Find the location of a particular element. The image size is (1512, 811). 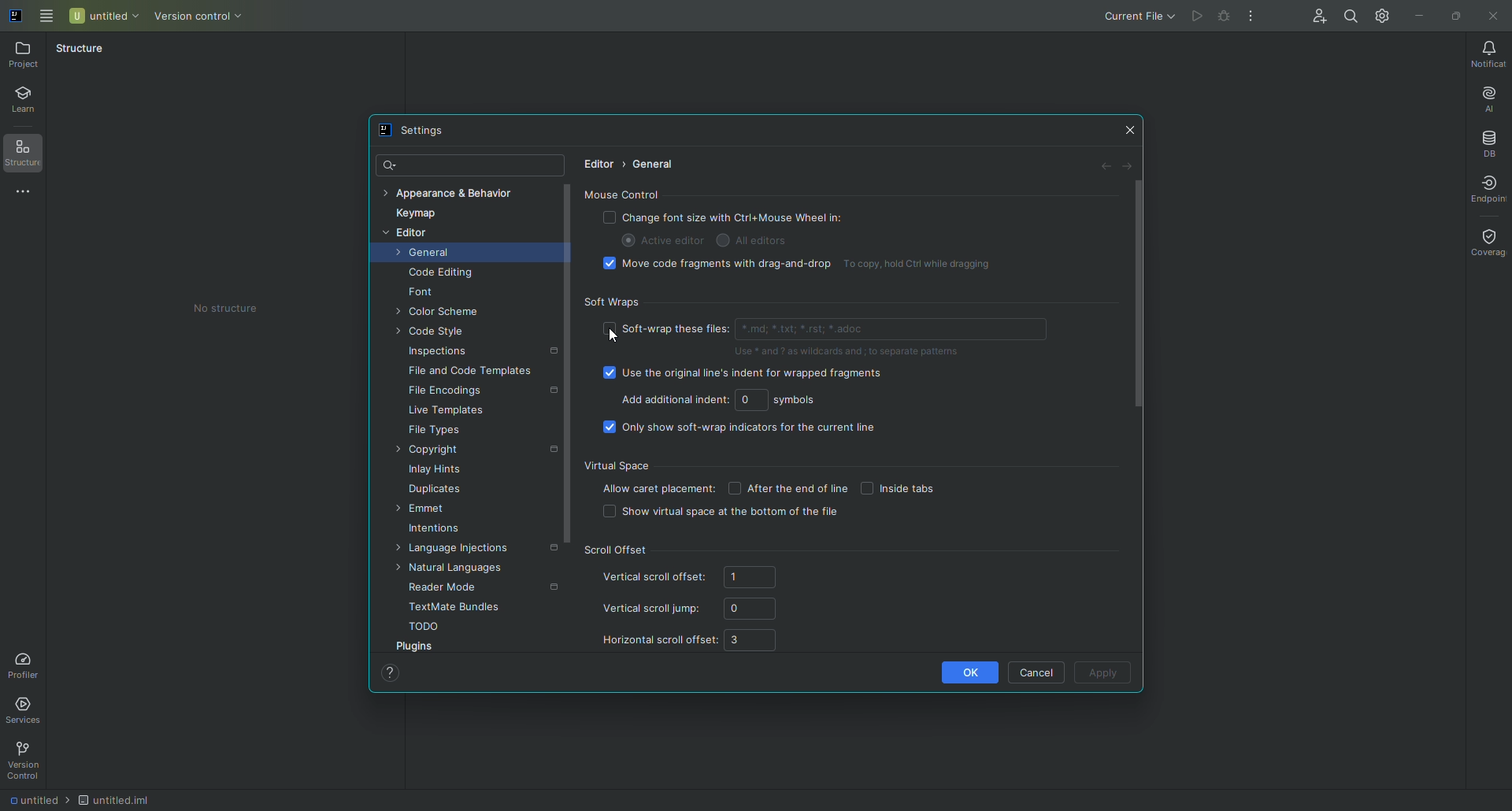

Live Templates is located at coordinates (447, 413).